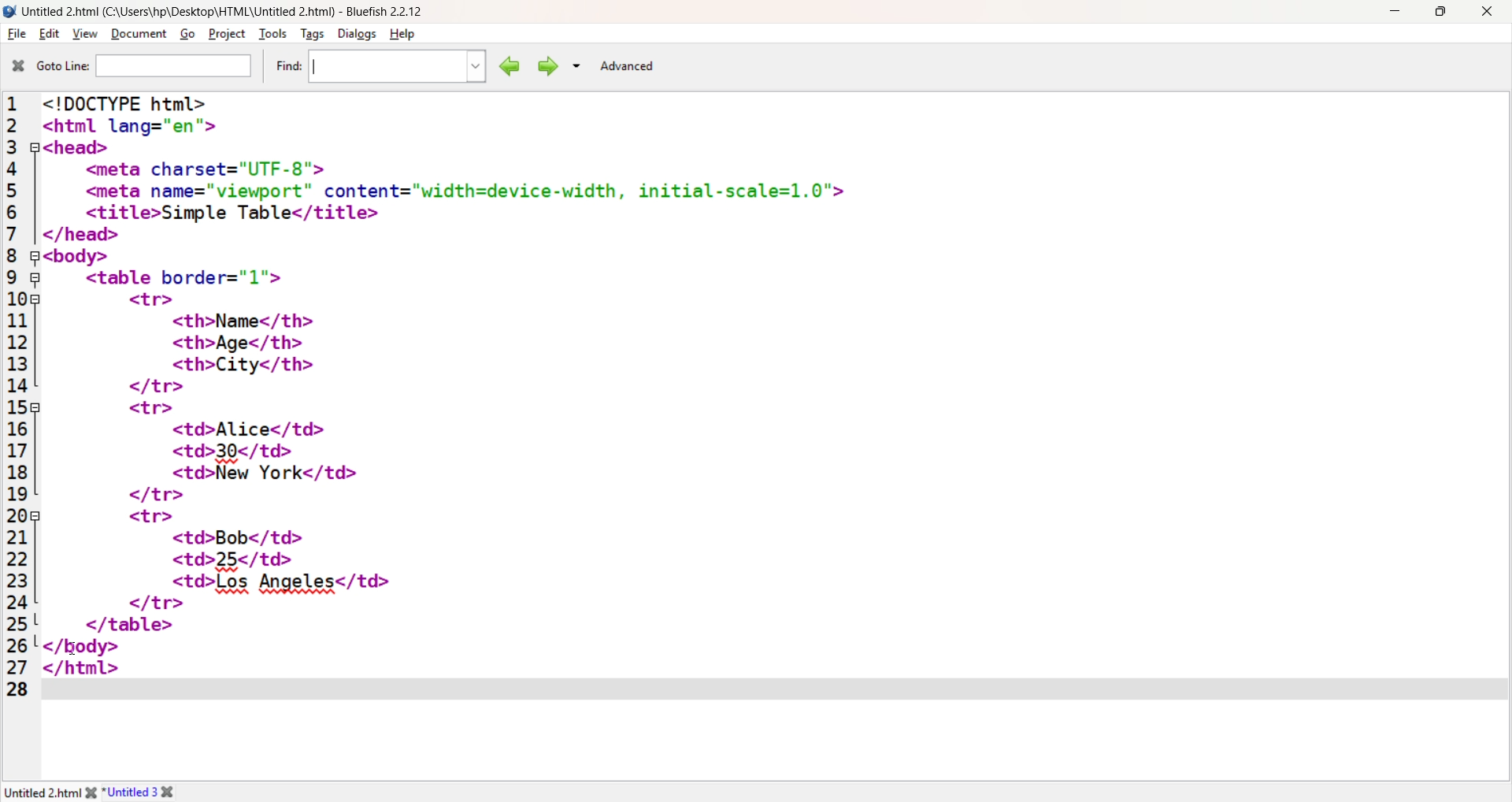  Describe the element at coordinates (89, 792) in the screenshot. I see `close file 1` at that location.